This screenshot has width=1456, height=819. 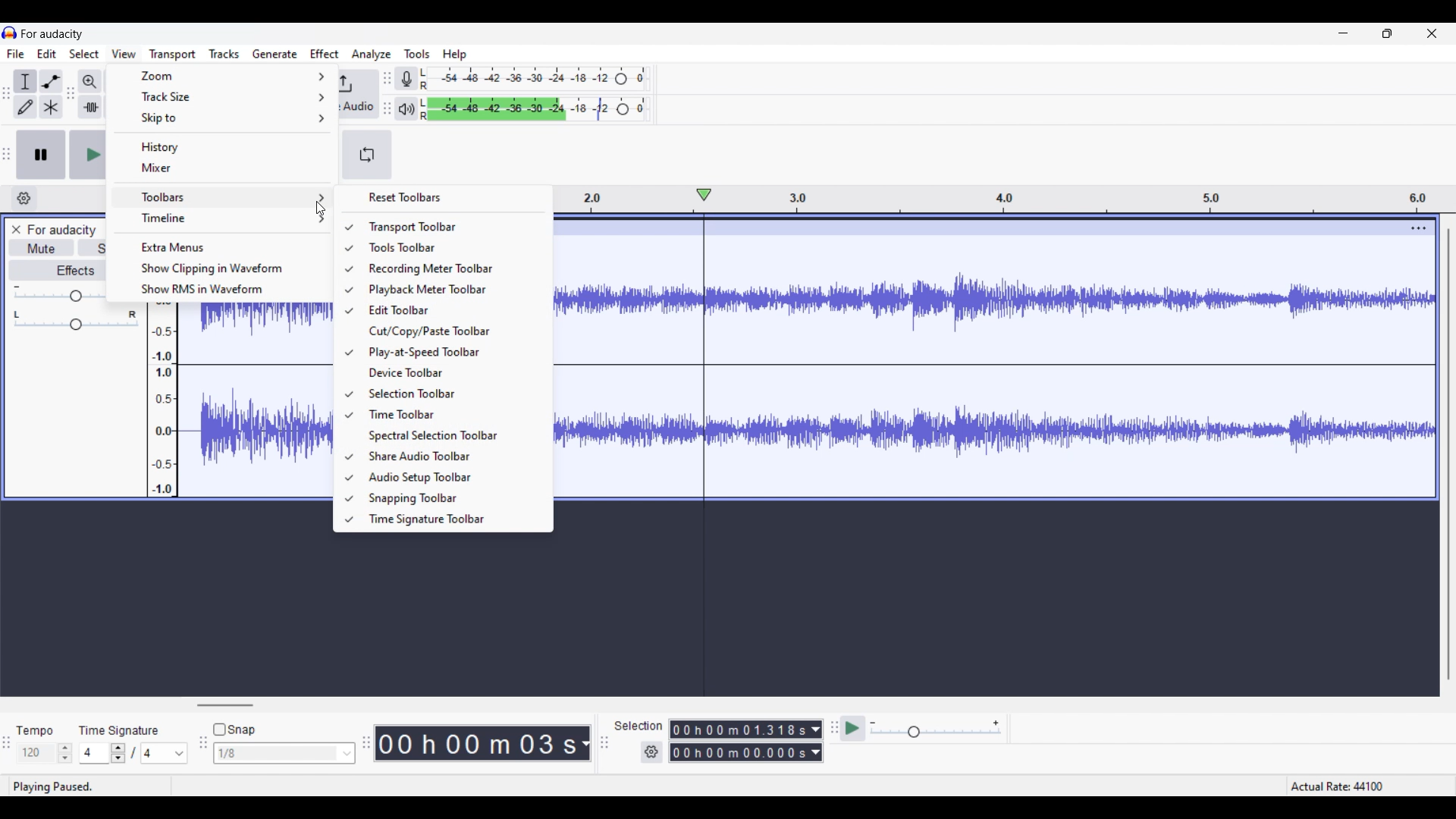 I want to click on Playback meter, so click(x=405, y=108).